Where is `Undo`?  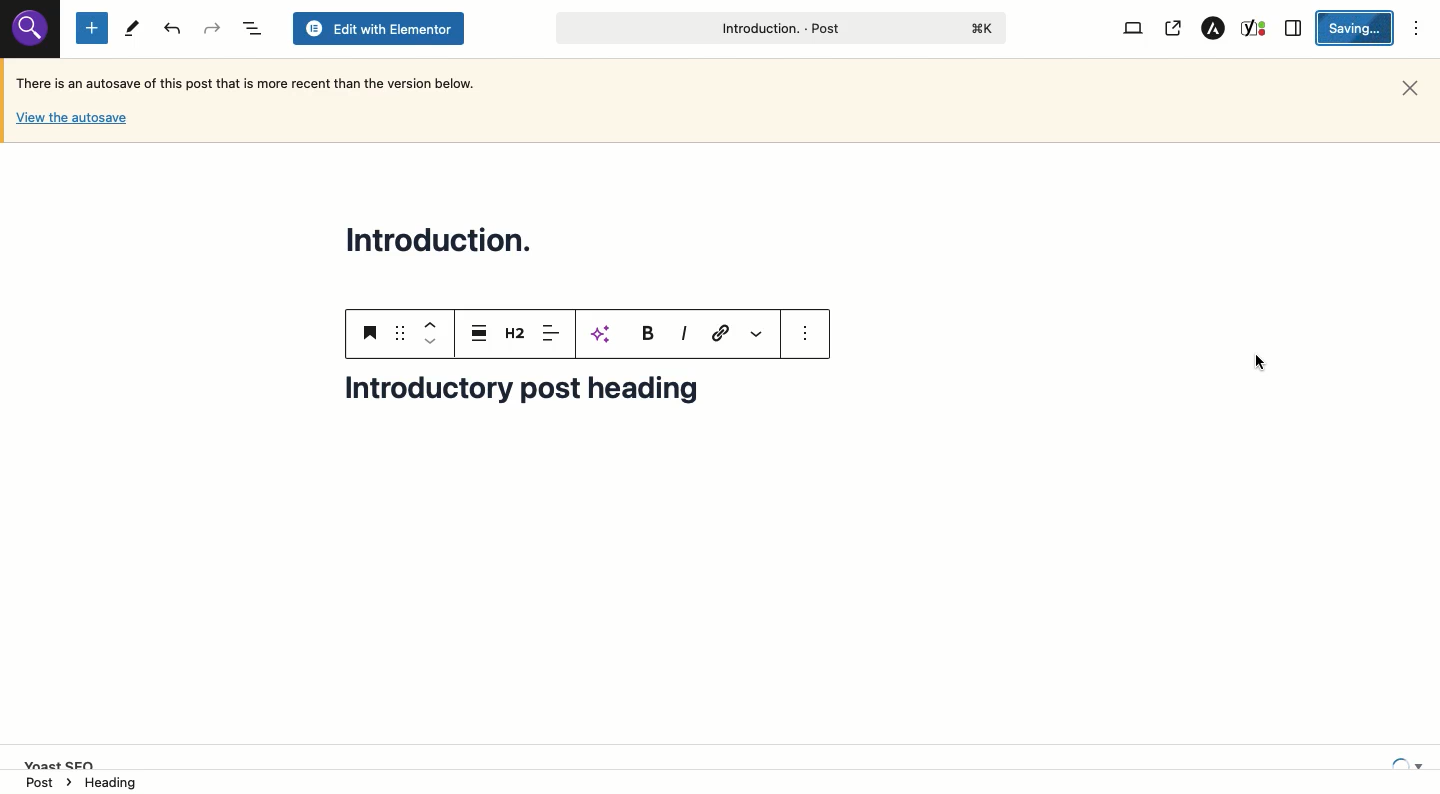 Undo is located at coordinates (211, 28).